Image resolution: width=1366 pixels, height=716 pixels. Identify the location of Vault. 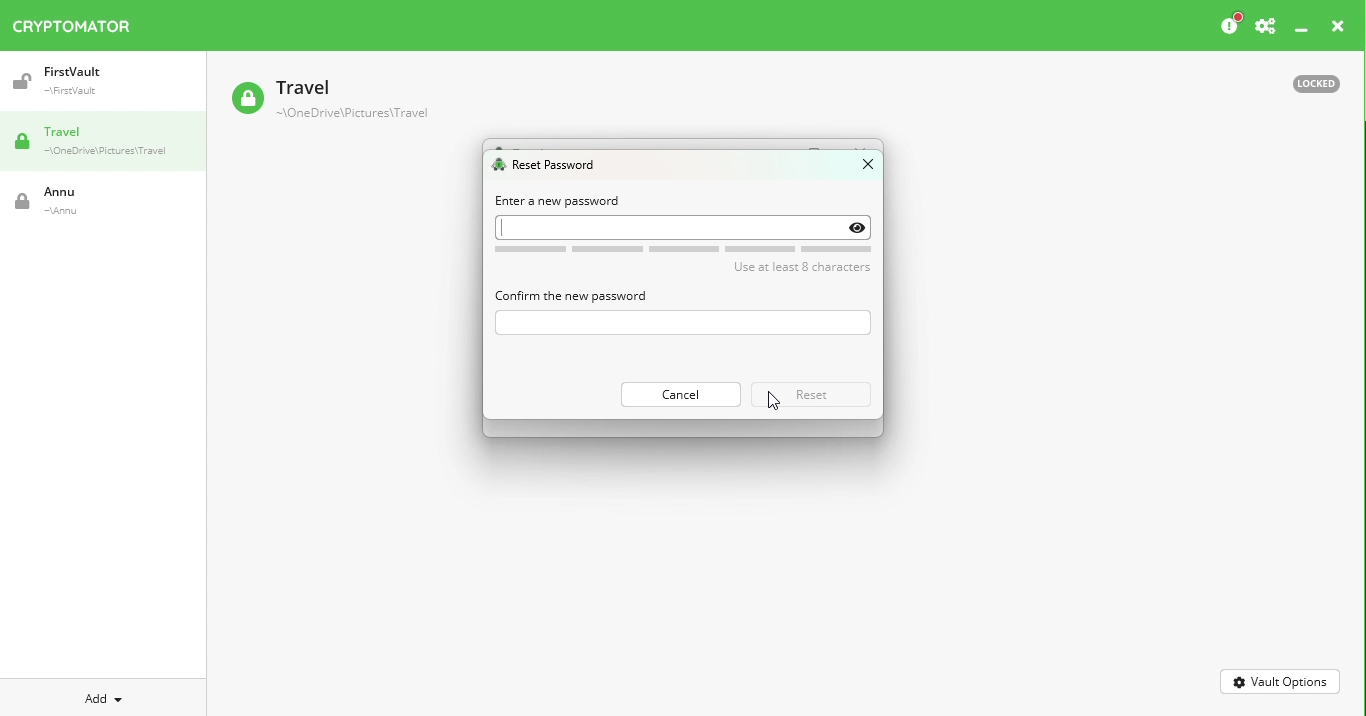
(329, 101).